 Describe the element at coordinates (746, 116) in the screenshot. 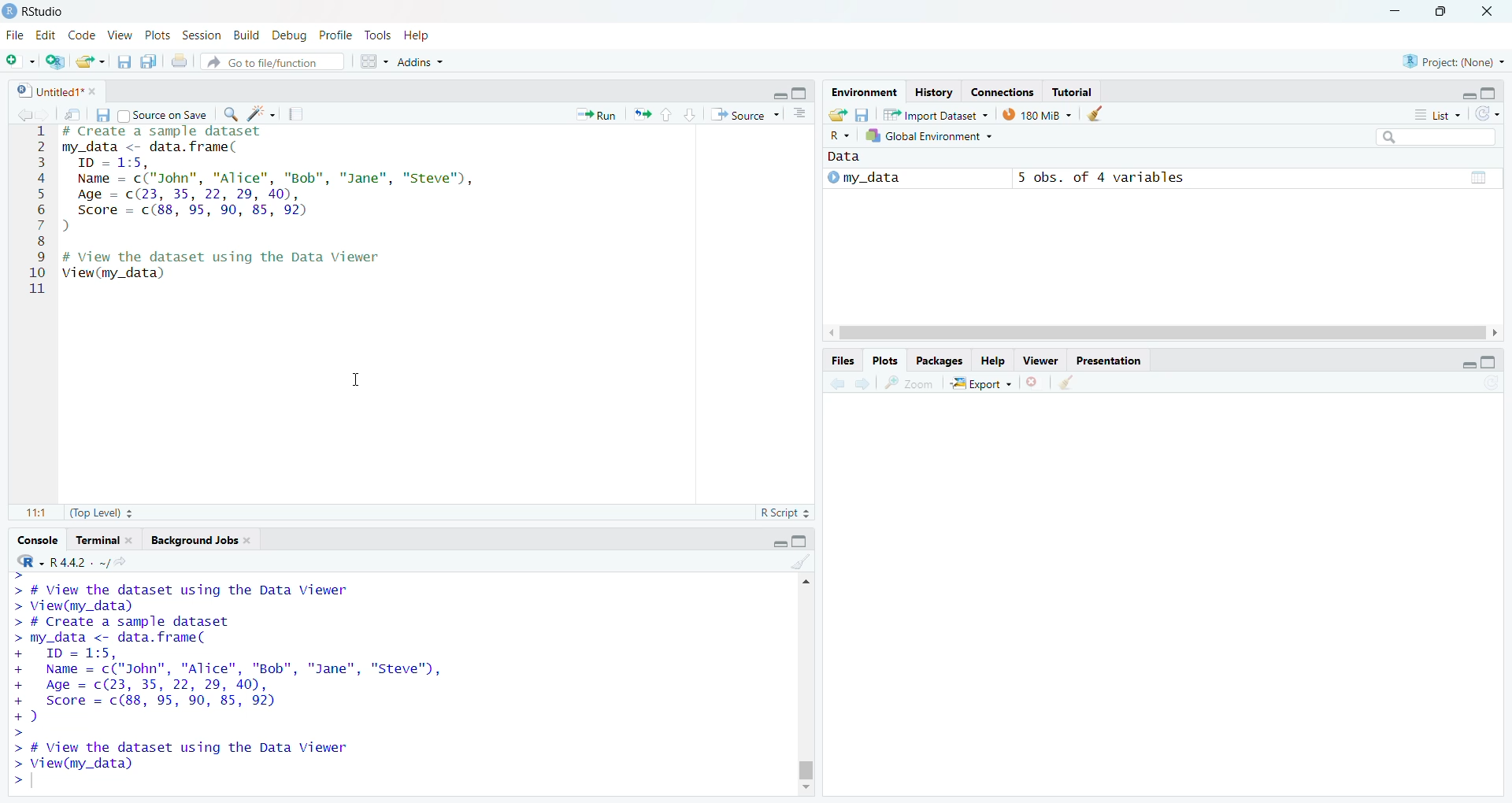

I see `Source` at that location.